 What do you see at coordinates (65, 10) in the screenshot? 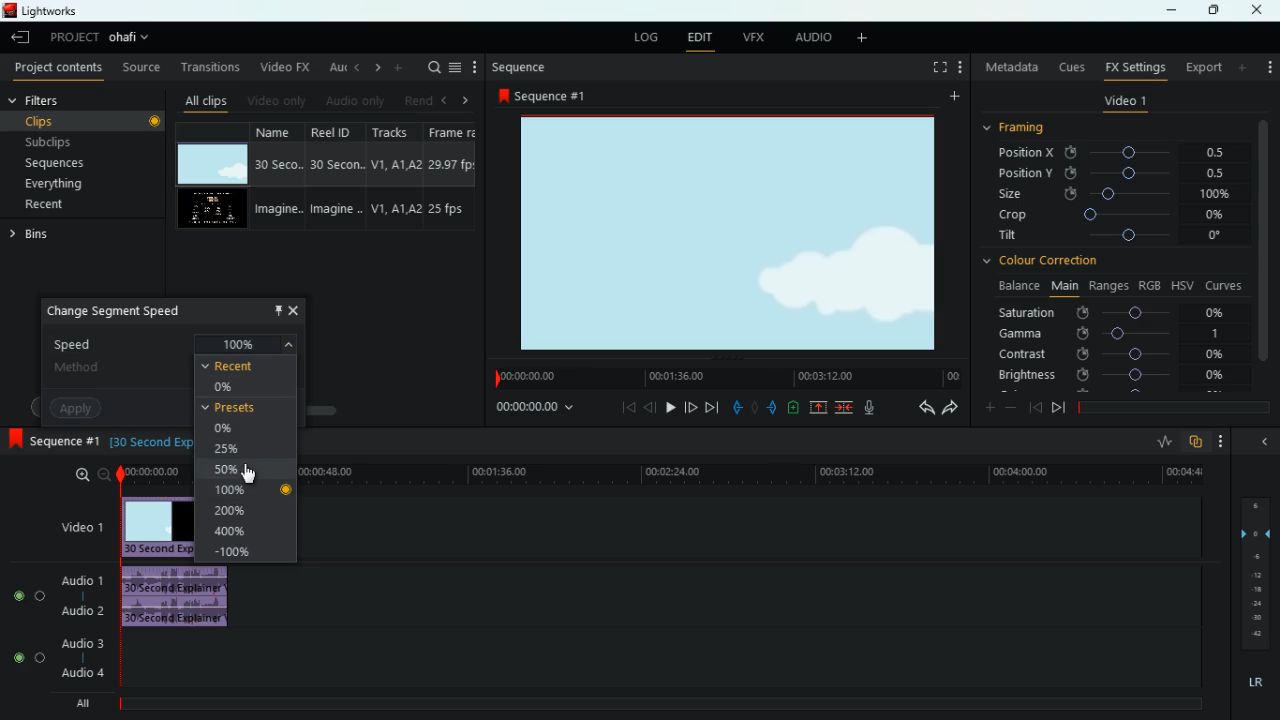
I see `lightworks` at bounding box center [65, 10].